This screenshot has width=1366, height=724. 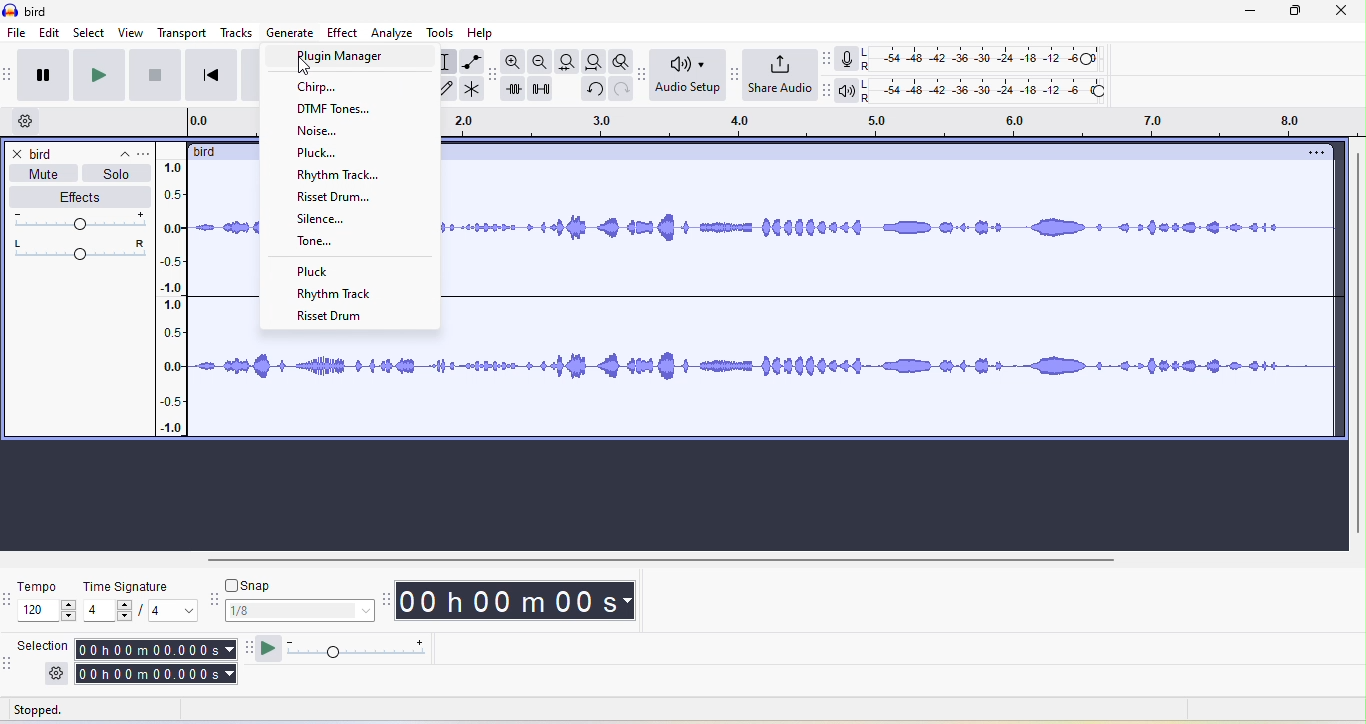 What do you see at coordinates (992, 61) in the screenshot?
I see `recording level` at bounding box center [992, 61].